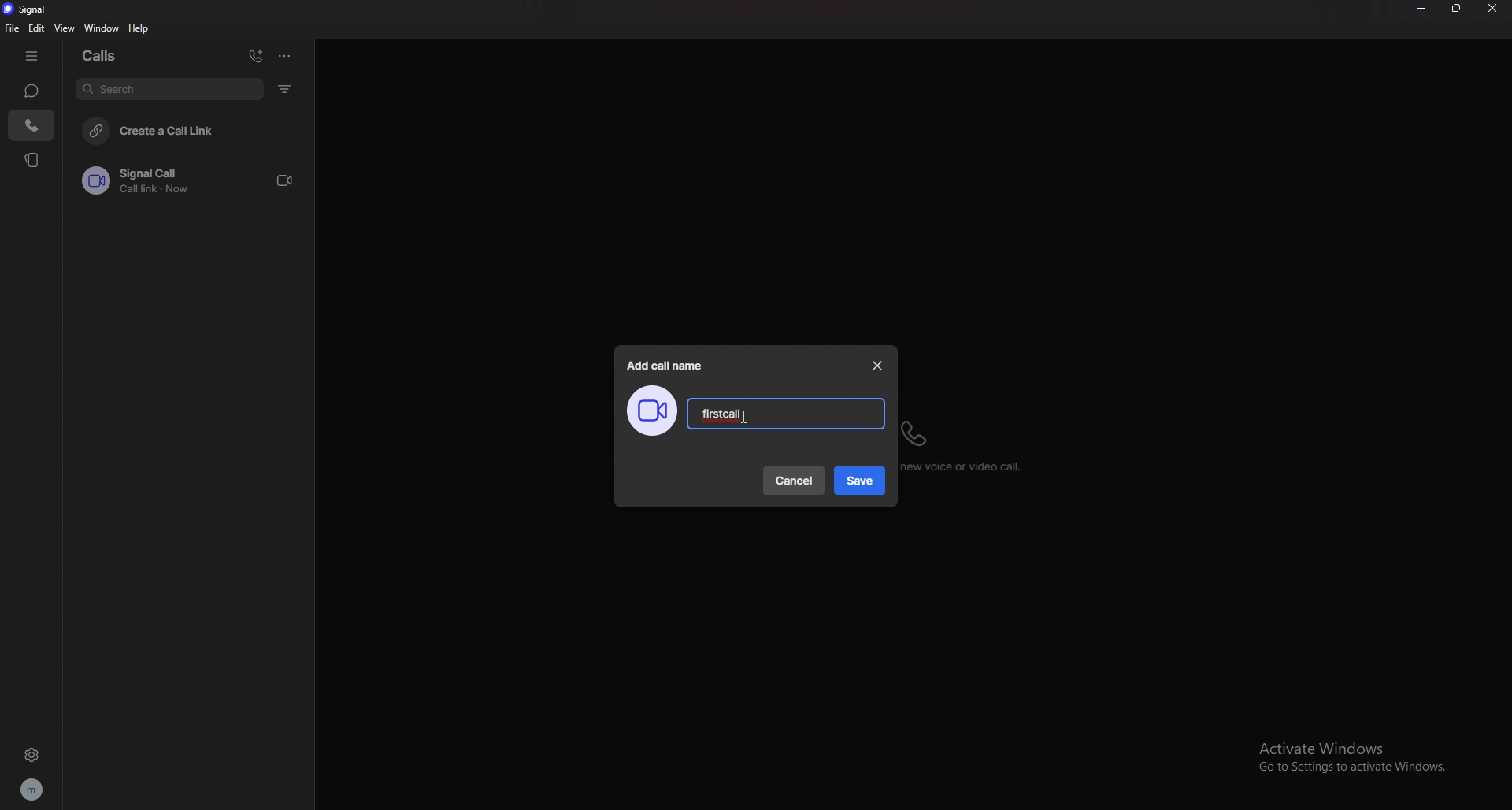 The width and height of the screenshot is (1512, 810). I want to click on signal, so click(30, 9).